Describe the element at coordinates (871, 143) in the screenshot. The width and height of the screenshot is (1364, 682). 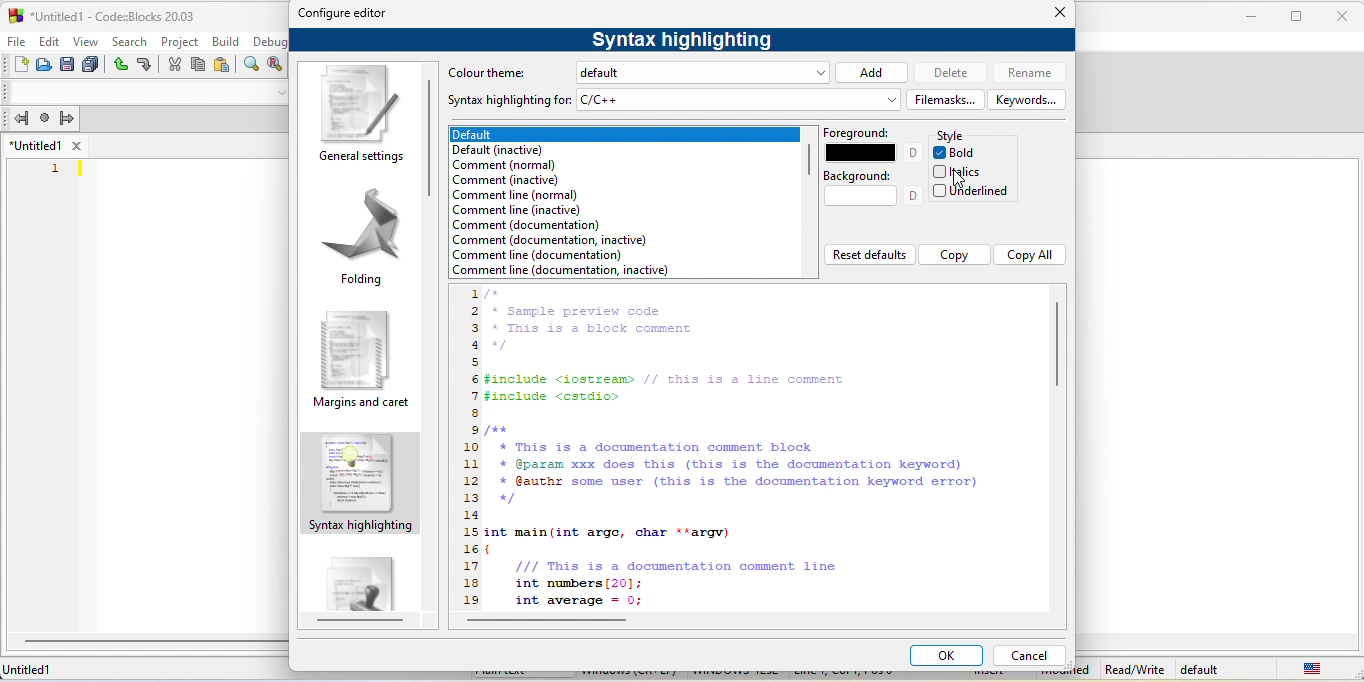
I see `foreground` at that location.